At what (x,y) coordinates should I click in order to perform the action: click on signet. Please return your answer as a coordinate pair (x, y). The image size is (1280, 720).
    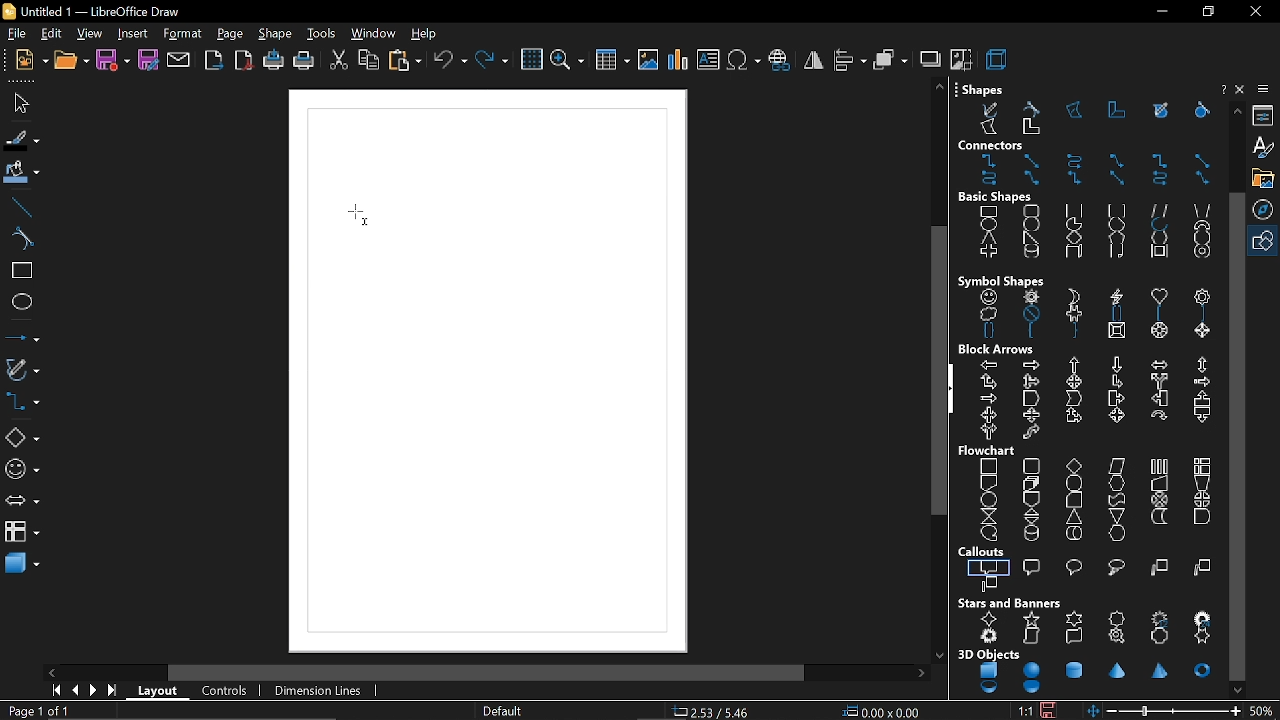
    Looking at the image, I should click on (1119, 638).